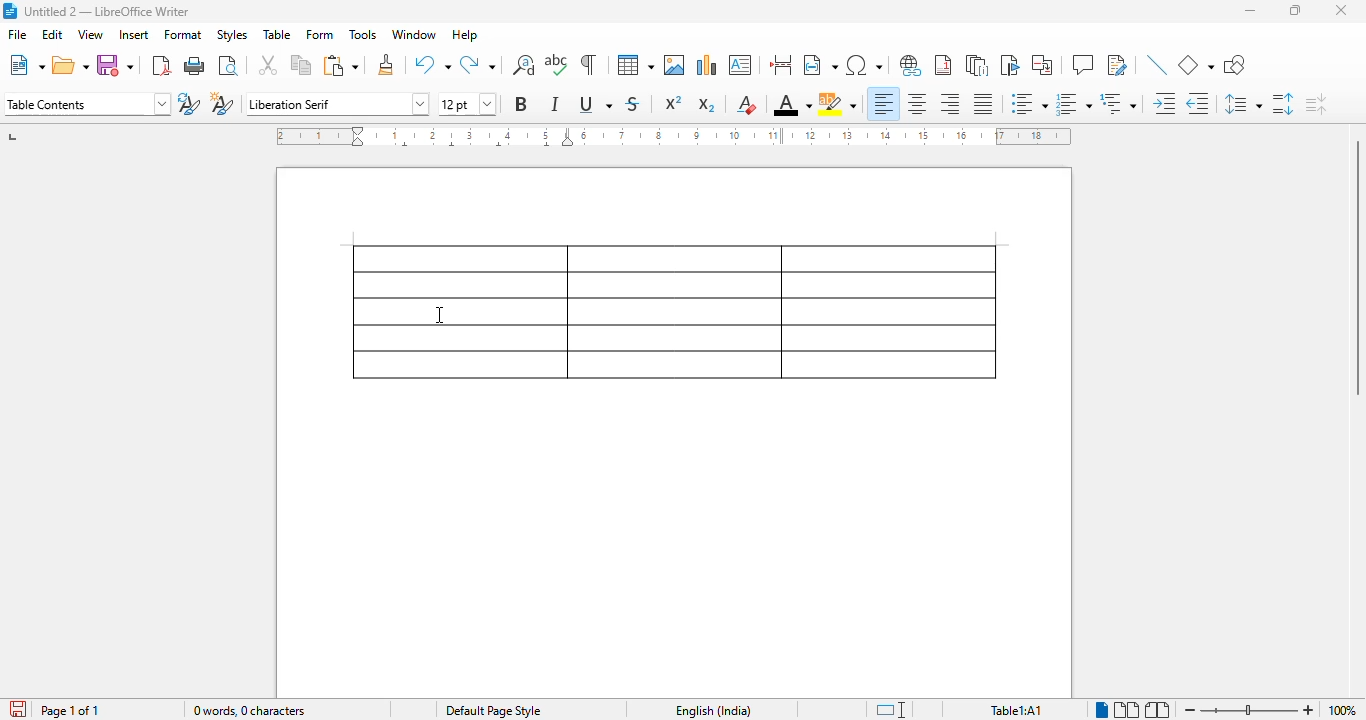 The width and height of the screenshot is (1366, 720). What do you see at coordinates (440, 314) in the screenshot?
I see `cursor` at bounding box center [440, 314].